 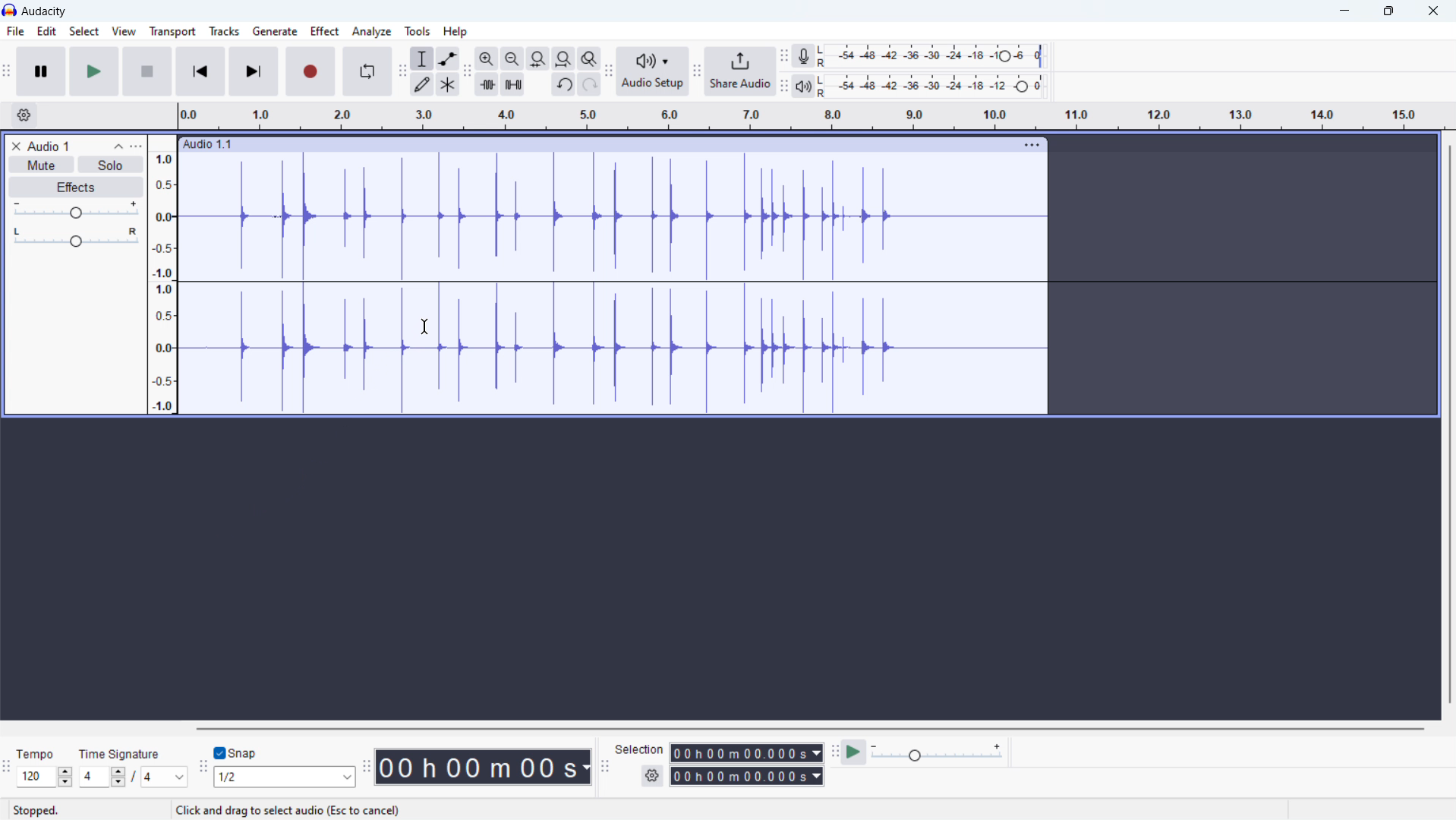 I want to click on Selection, so click(x=641, y=749).